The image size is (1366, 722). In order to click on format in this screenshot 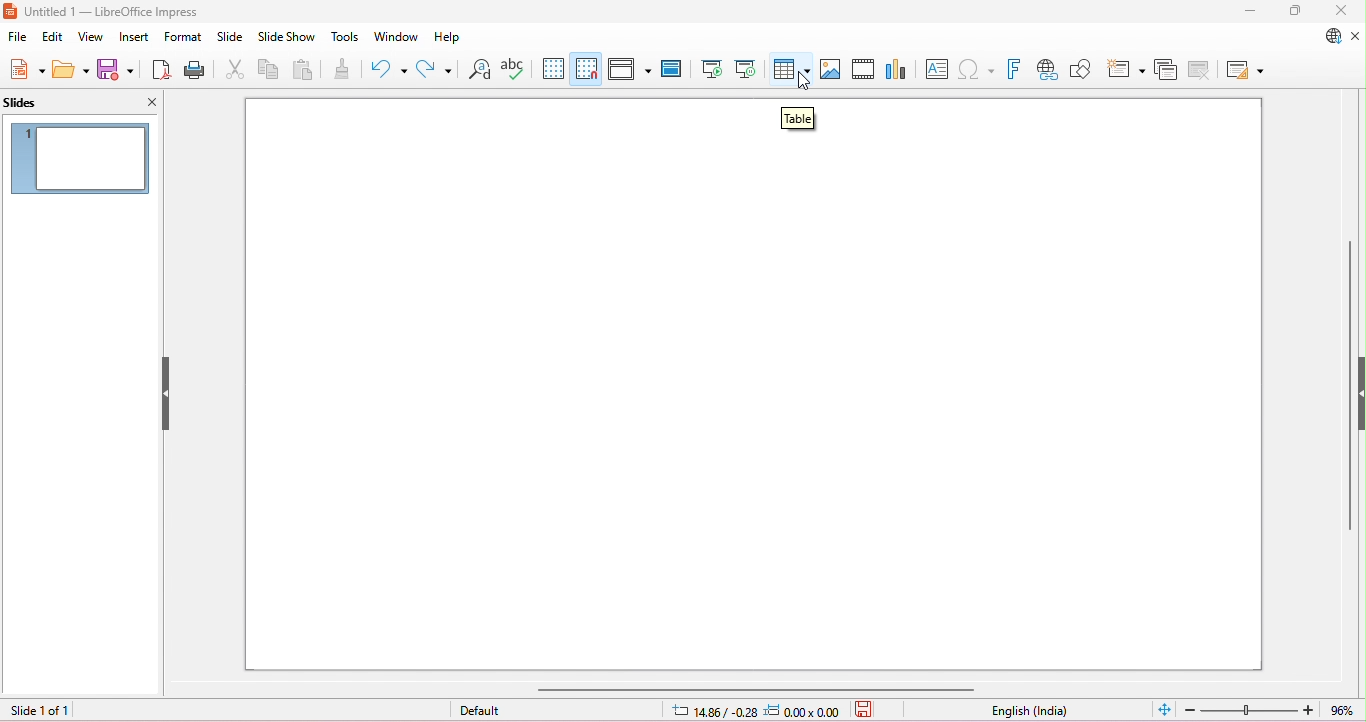, I will do `click(184, 37)`.